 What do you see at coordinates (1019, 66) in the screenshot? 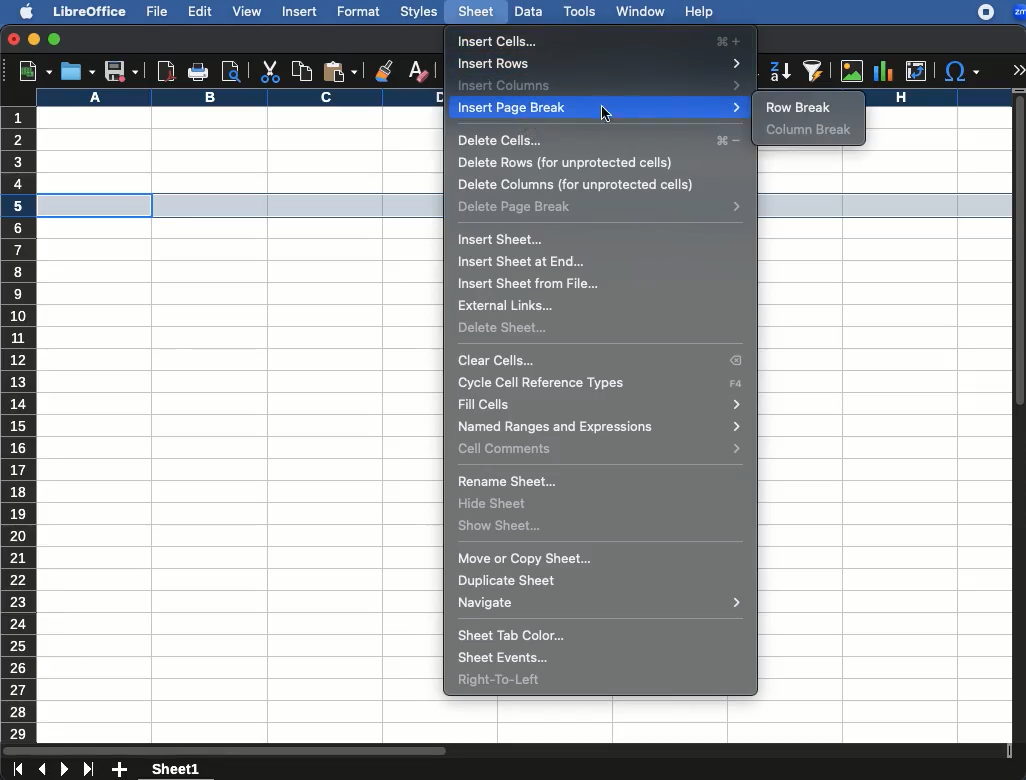
I see `expand` at bounding box center [1019, 66].